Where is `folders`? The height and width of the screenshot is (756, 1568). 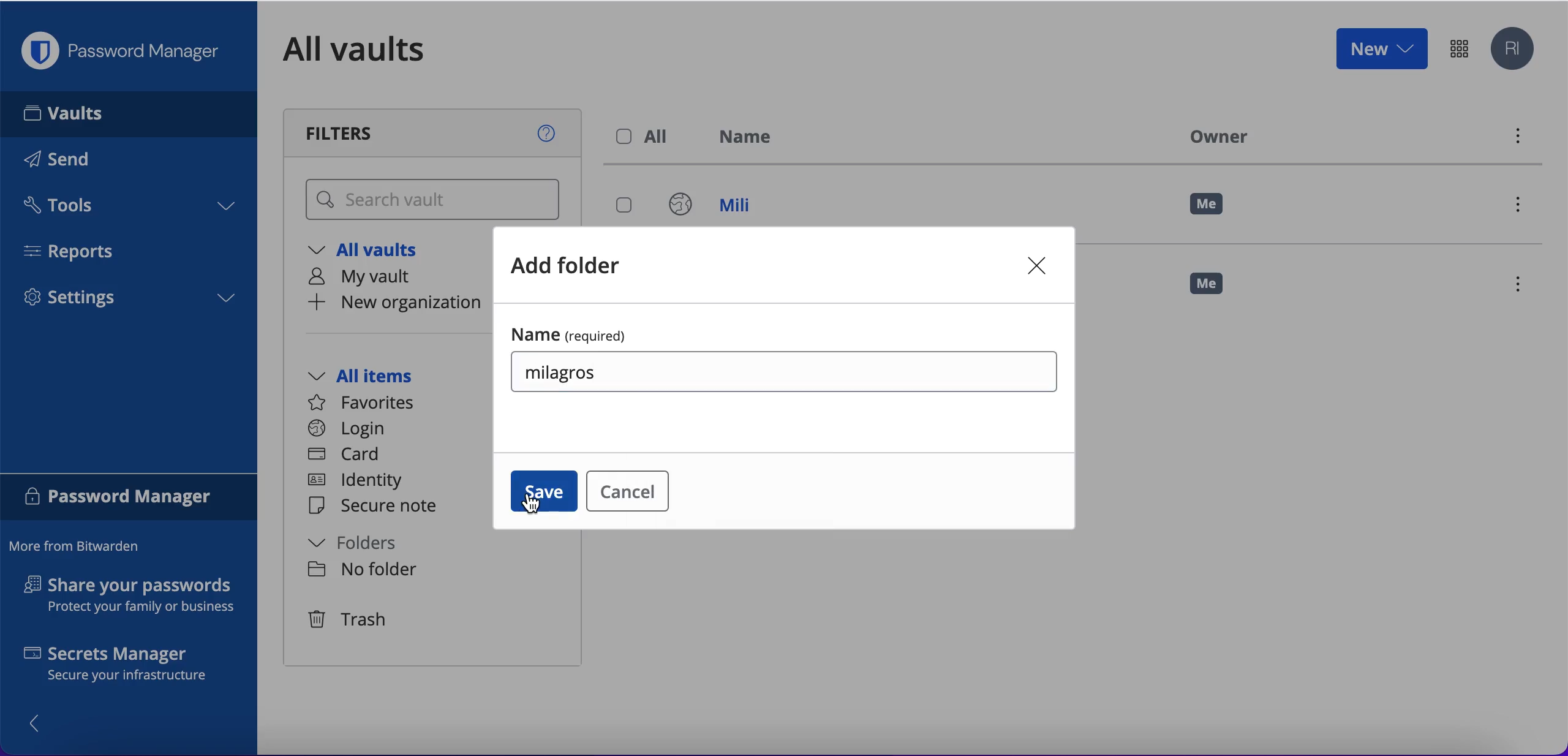 folders is located at coordinates (366, 543).